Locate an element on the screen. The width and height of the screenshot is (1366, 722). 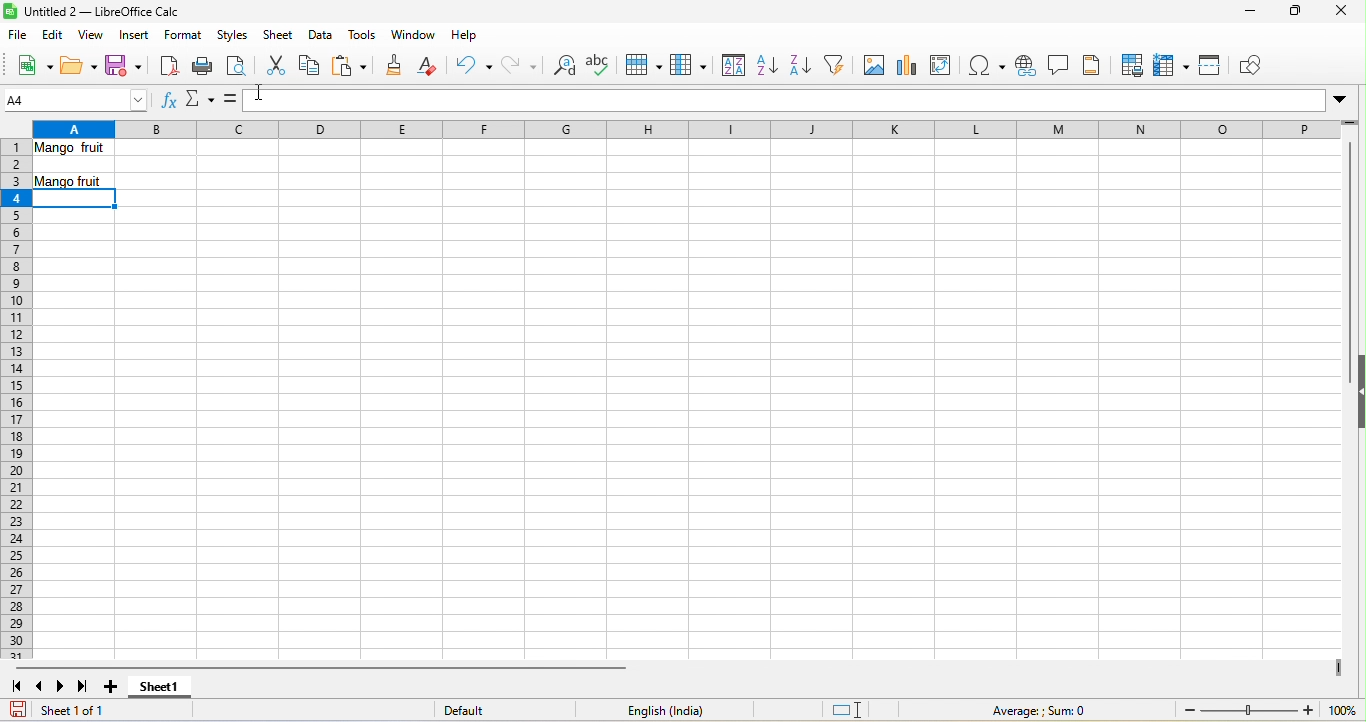
cut is located at coordinates (276, 64).